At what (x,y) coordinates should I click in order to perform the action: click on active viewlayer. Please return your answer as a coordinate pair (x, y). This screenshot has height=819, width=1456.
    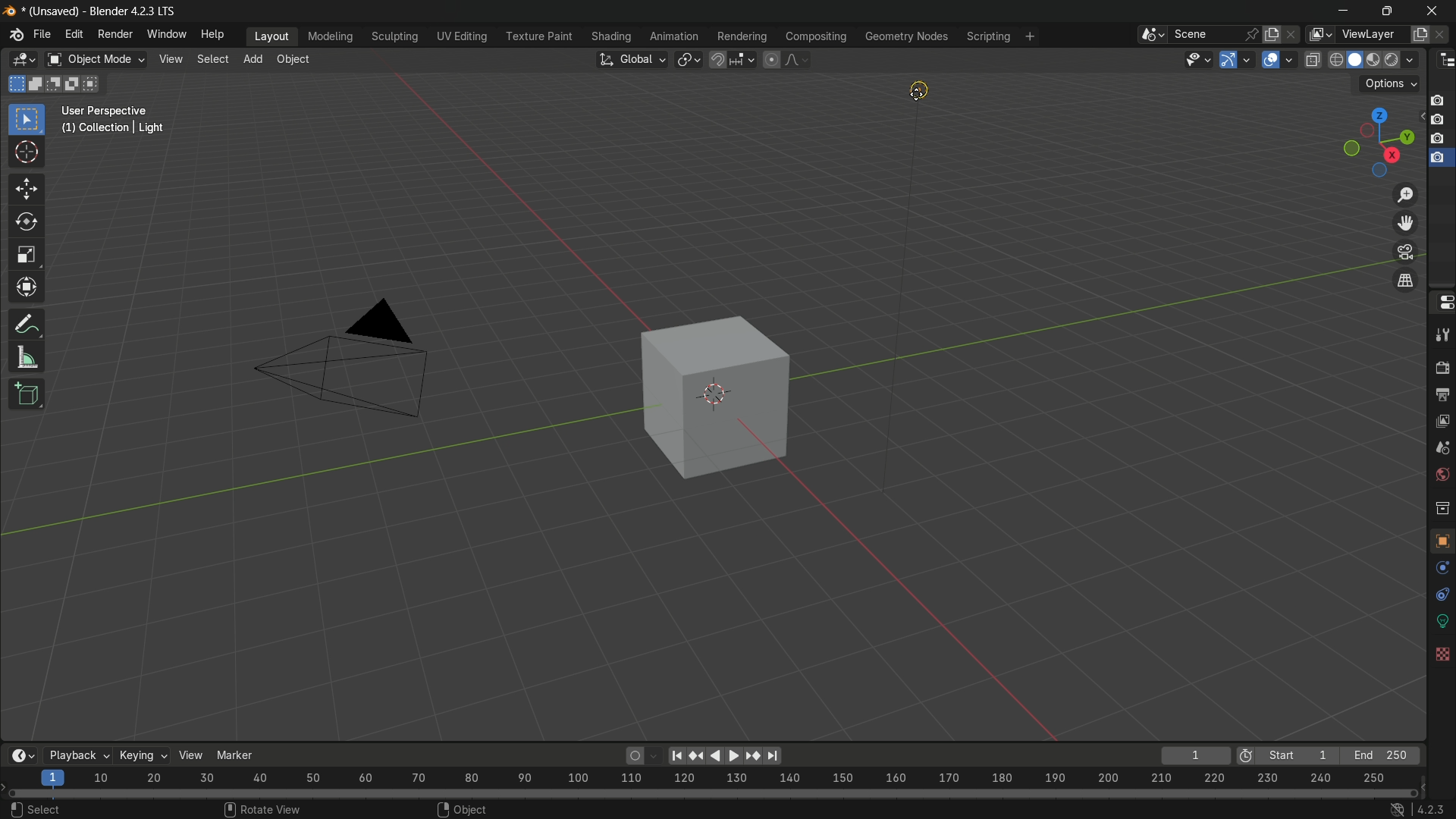
    Looking at the image, I should click on (1318, 35).